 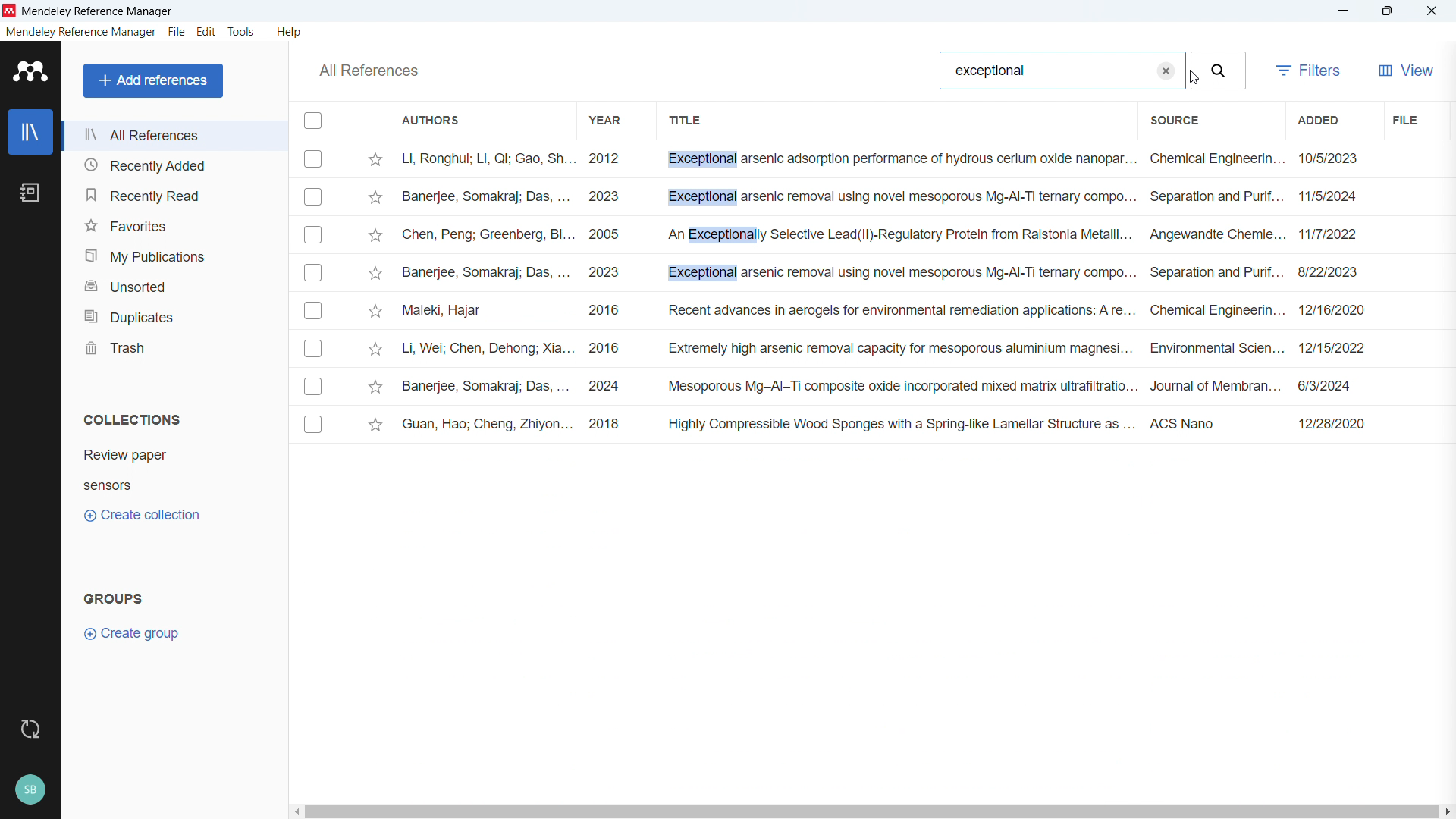 What do you see at coordinates (107, 486) in the screenshot?
I see `Collection 2` at bounding box center [107, 486].